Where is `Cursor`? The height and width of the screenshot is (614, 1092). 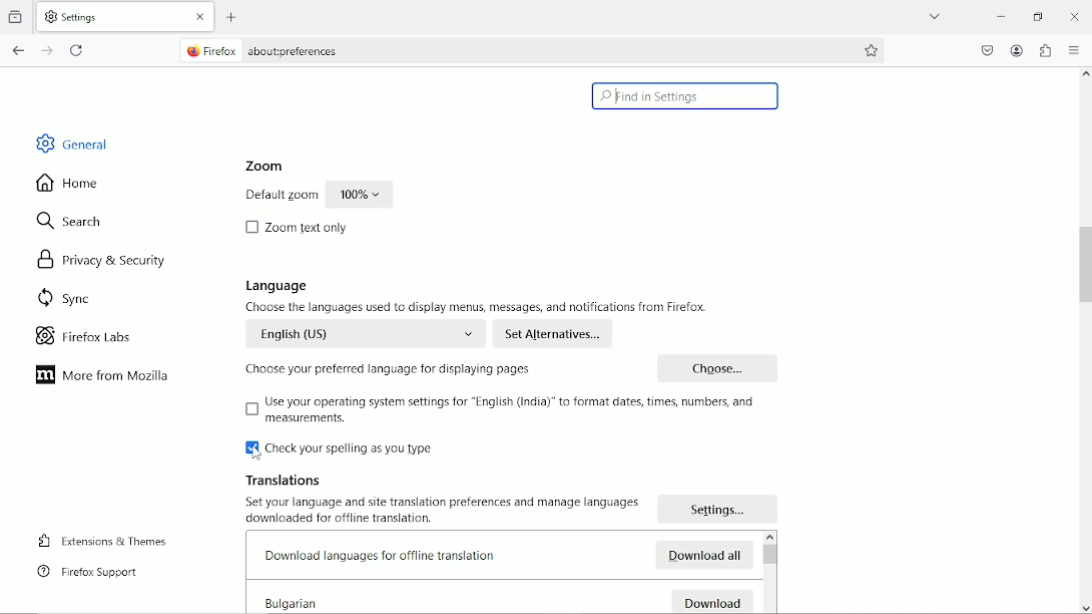
Cursor is located at coordinates (255, 454).